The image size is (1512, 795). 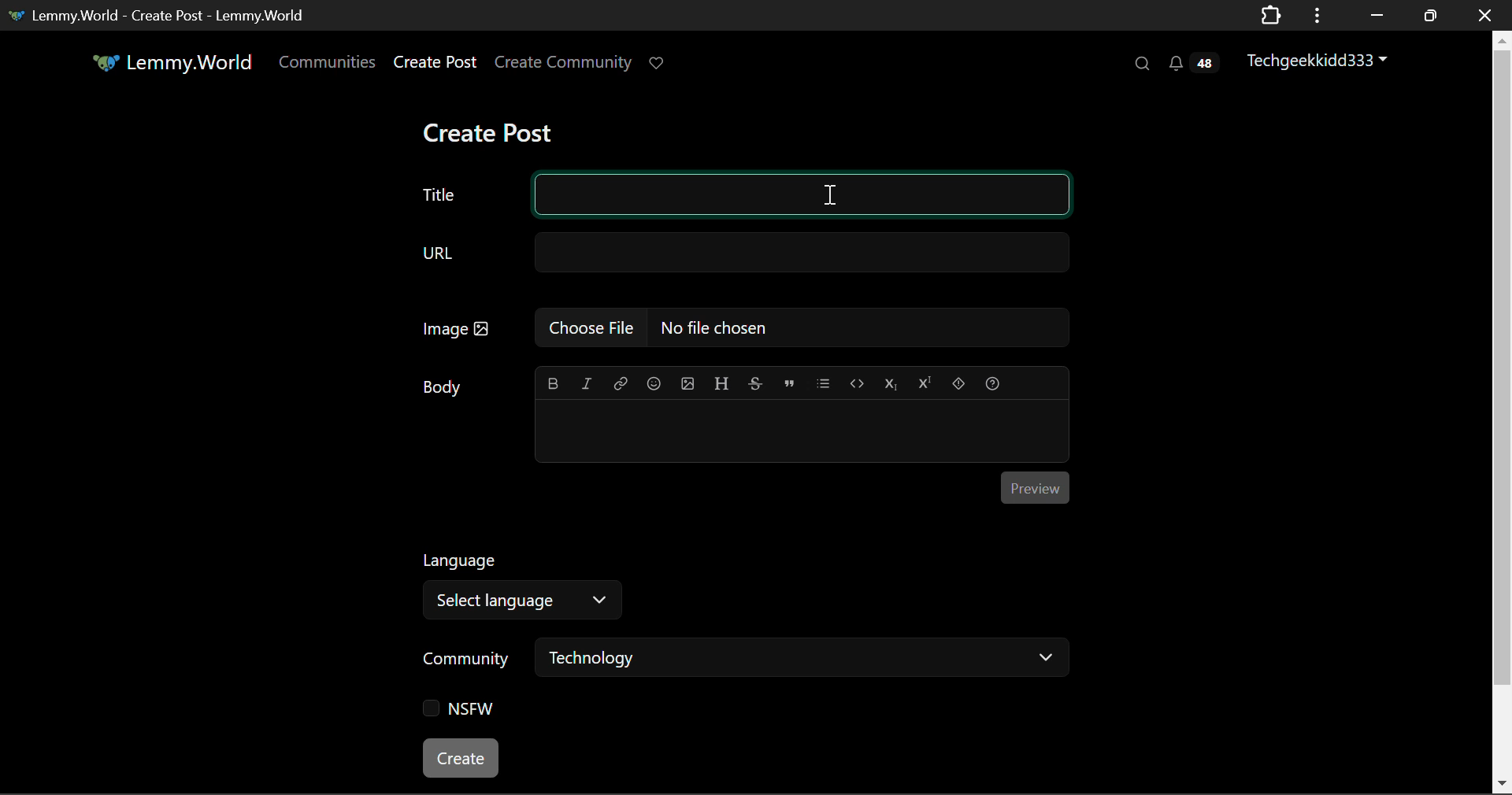 I want to click on subscript, so click(x=891, y=382).